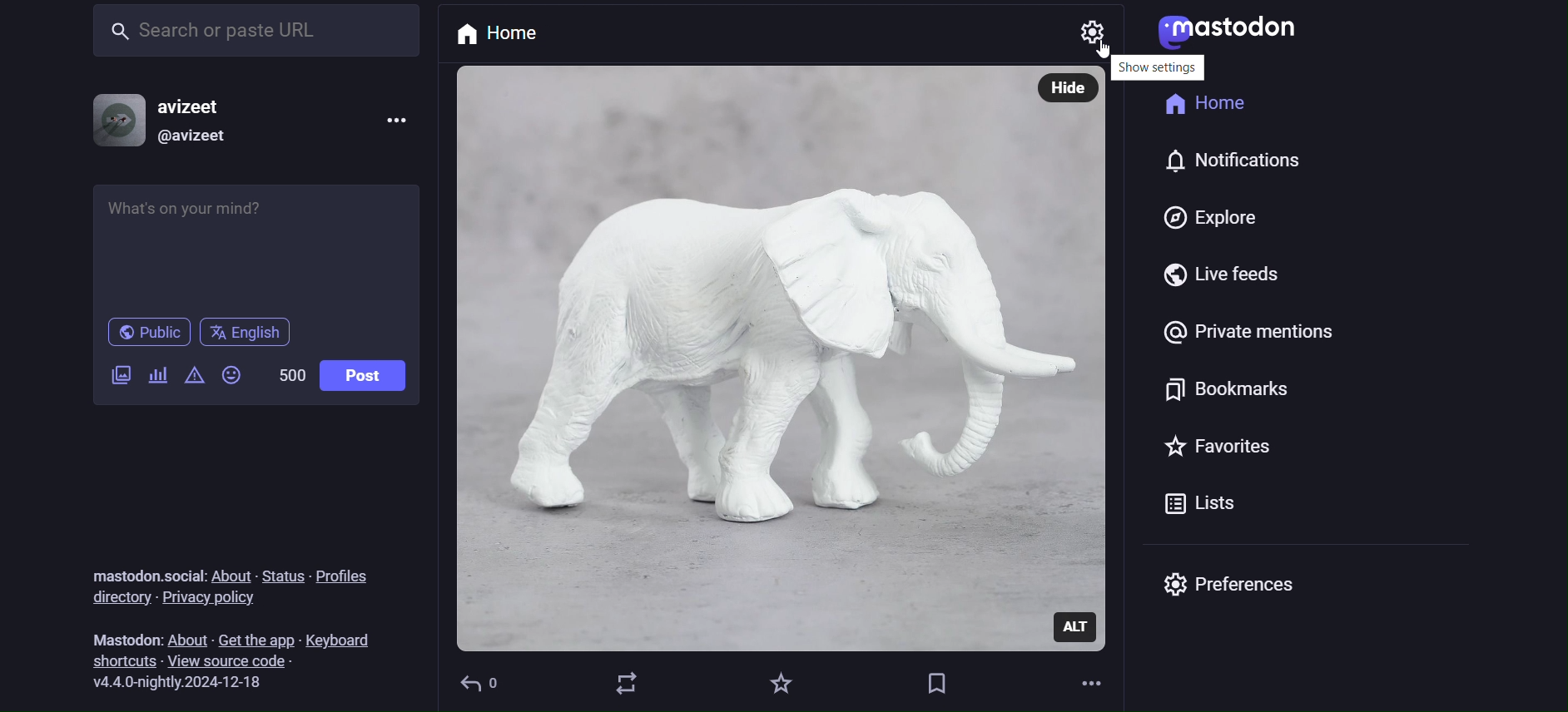 This screenshot has height=712, width=1568. Describe the element at coordinates (1095, 33) in the screenshot. I see `Setting` at that location.